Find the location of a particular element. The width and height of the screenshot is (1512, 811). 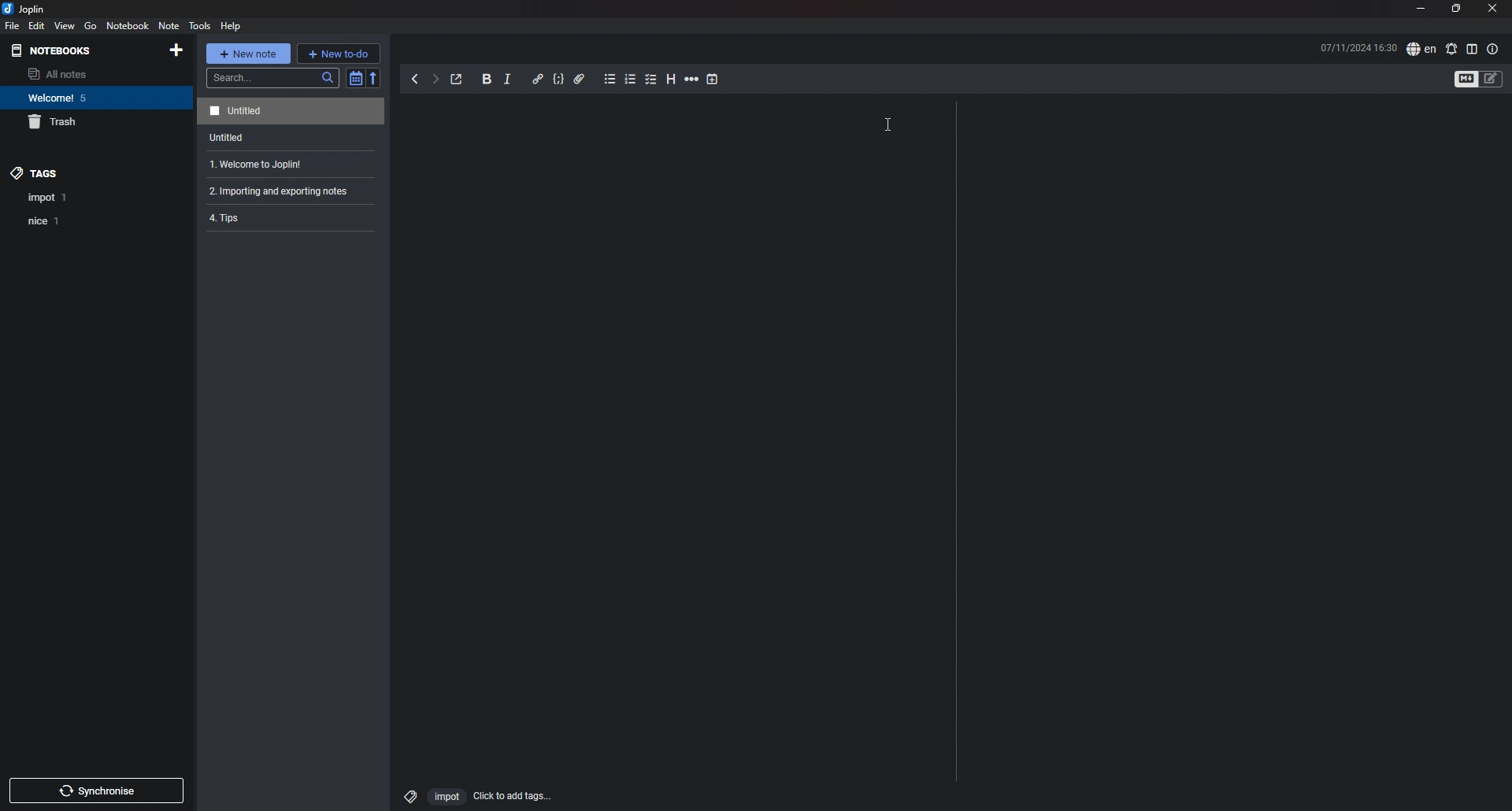

notebooks is located at coordinates (74, 51).